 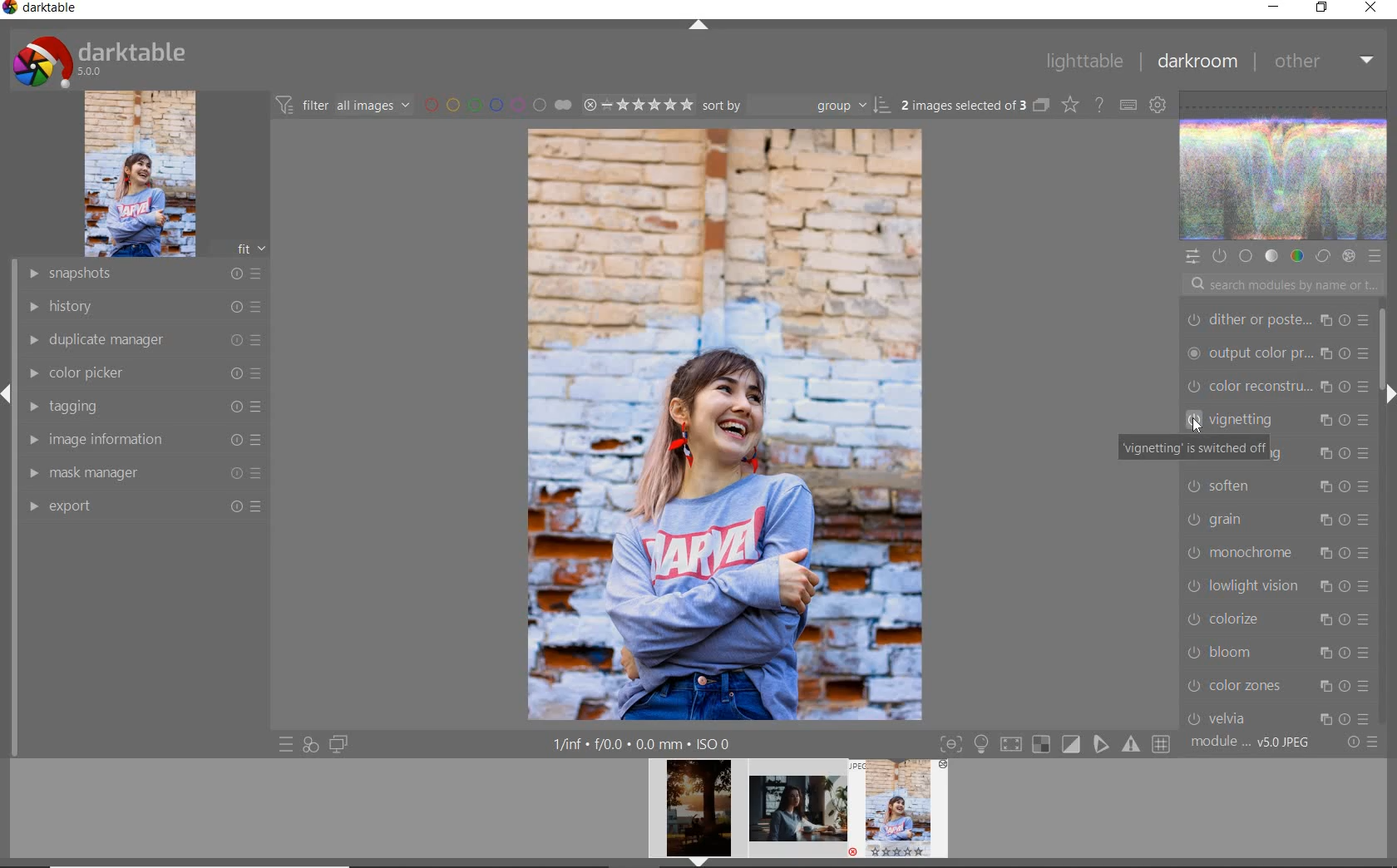 I want to click on SELECTED IMAGES, so click(x=964, y=102).